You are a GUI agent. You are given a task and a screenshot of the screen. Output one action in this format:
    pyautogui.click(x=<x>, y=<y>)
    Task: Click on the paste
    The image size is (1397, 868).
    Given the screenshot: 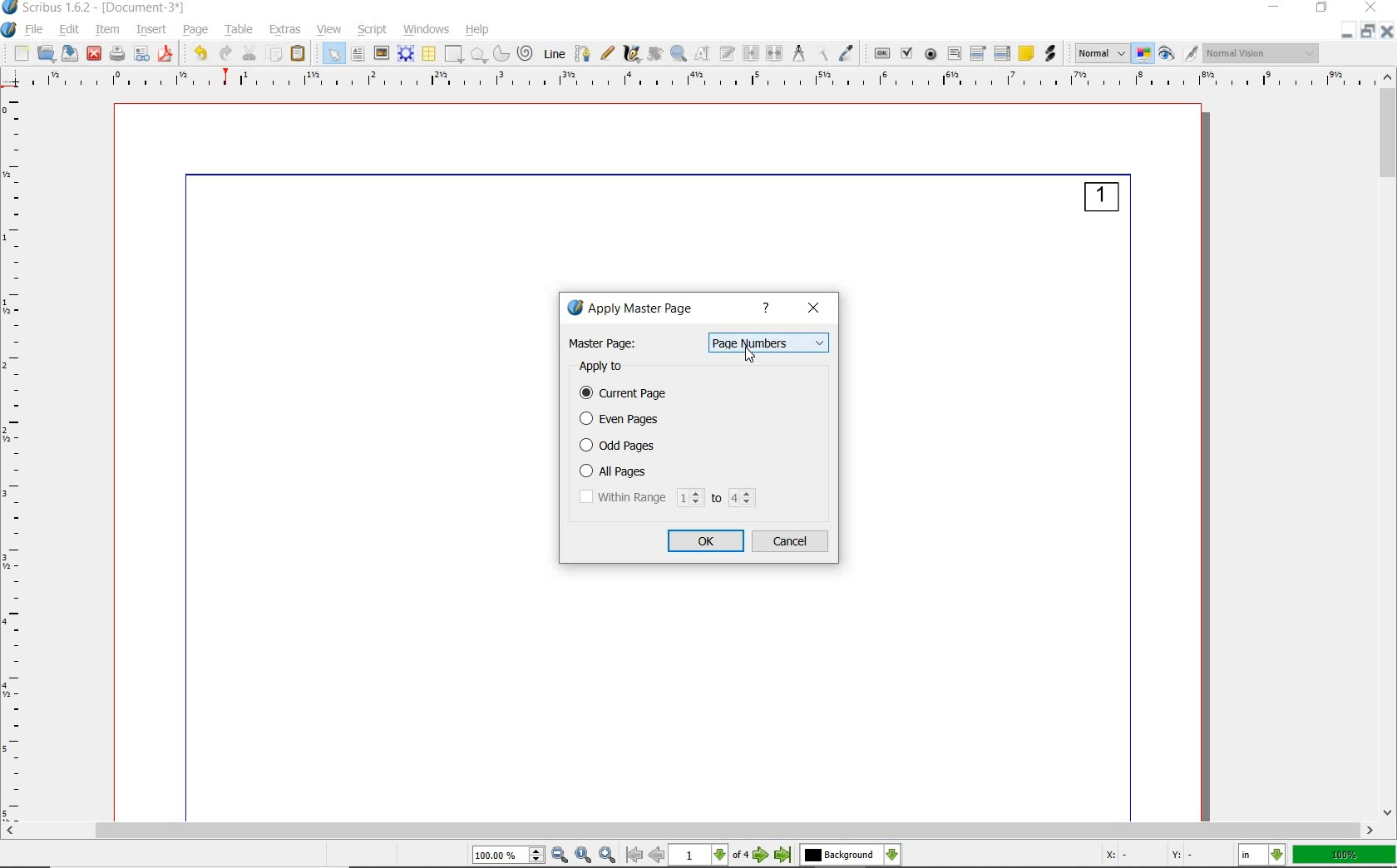 What is the action you would take?
    pyautogui.click(x=299, y=54)
    